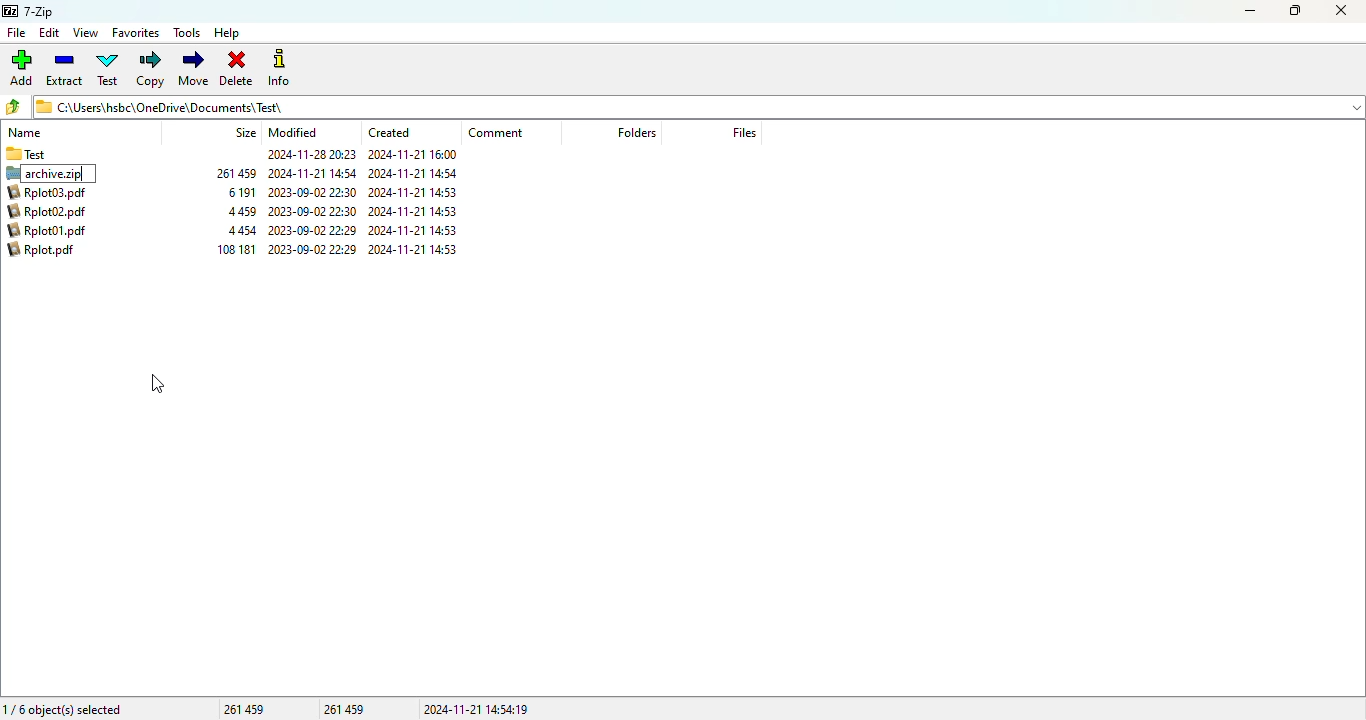 Image resolution: width=1366 pixels, height=720 pixels. Describe the element at coordinates (241, 211) in the screenshot. I see `4 459` at that location.